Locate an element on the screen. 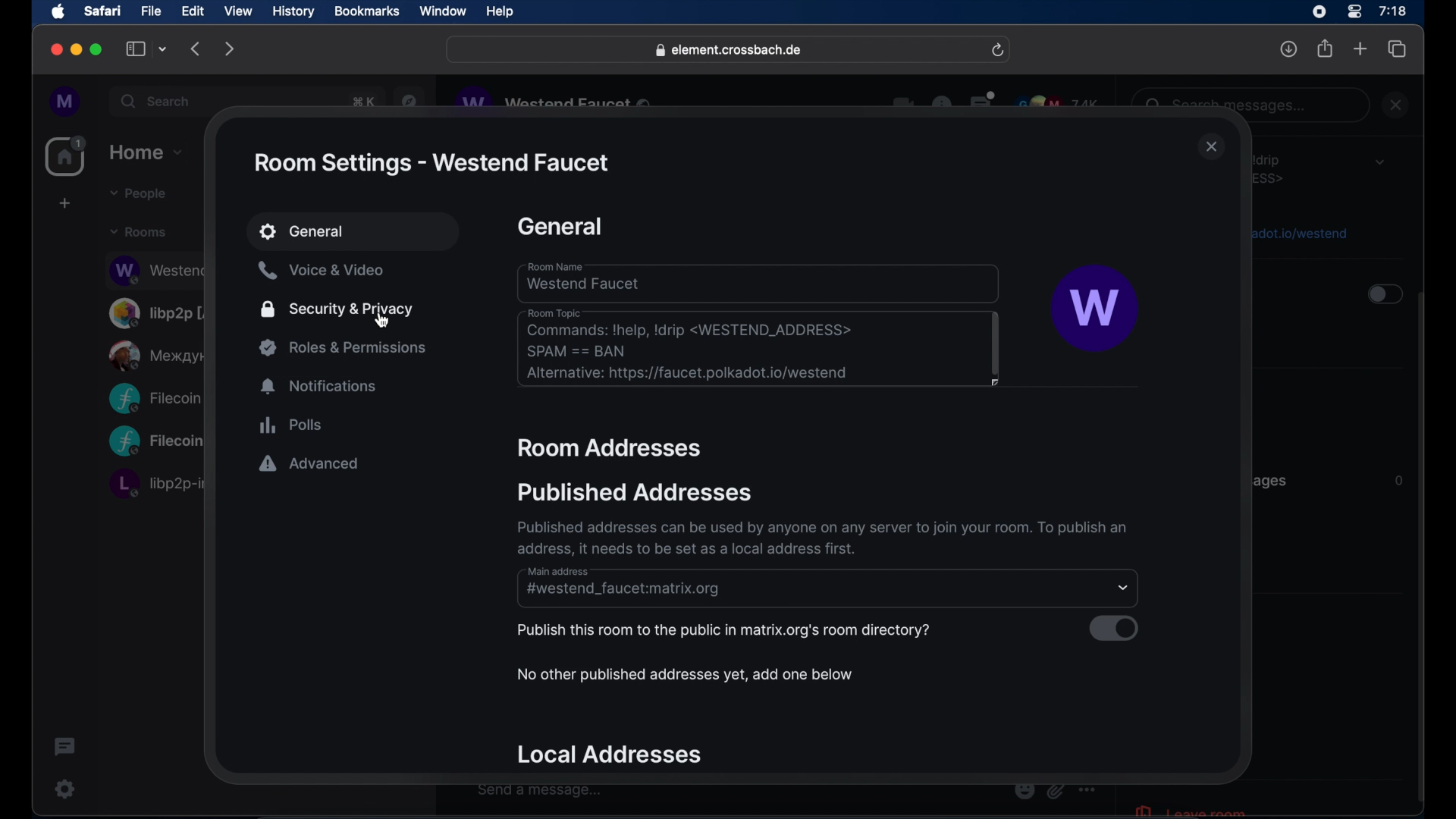 The height and width of the screenshot is (819, 1456). obscure icon is located at coordinates (1055, 790).